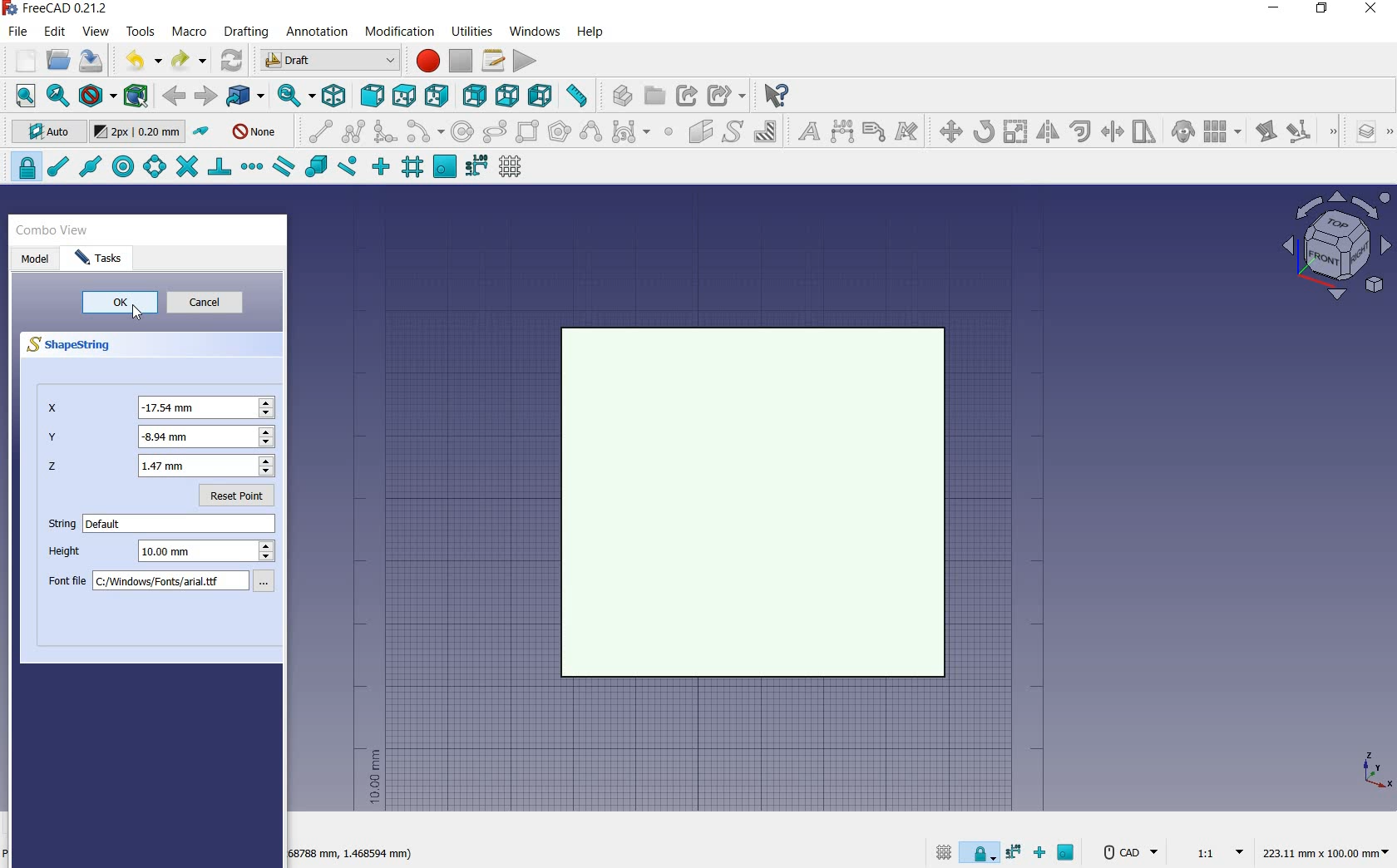 This screenshot has height=868, width=1397. Describe the element at coordinates (57, 96) in the screenshot. I see `fit selection` at that location.